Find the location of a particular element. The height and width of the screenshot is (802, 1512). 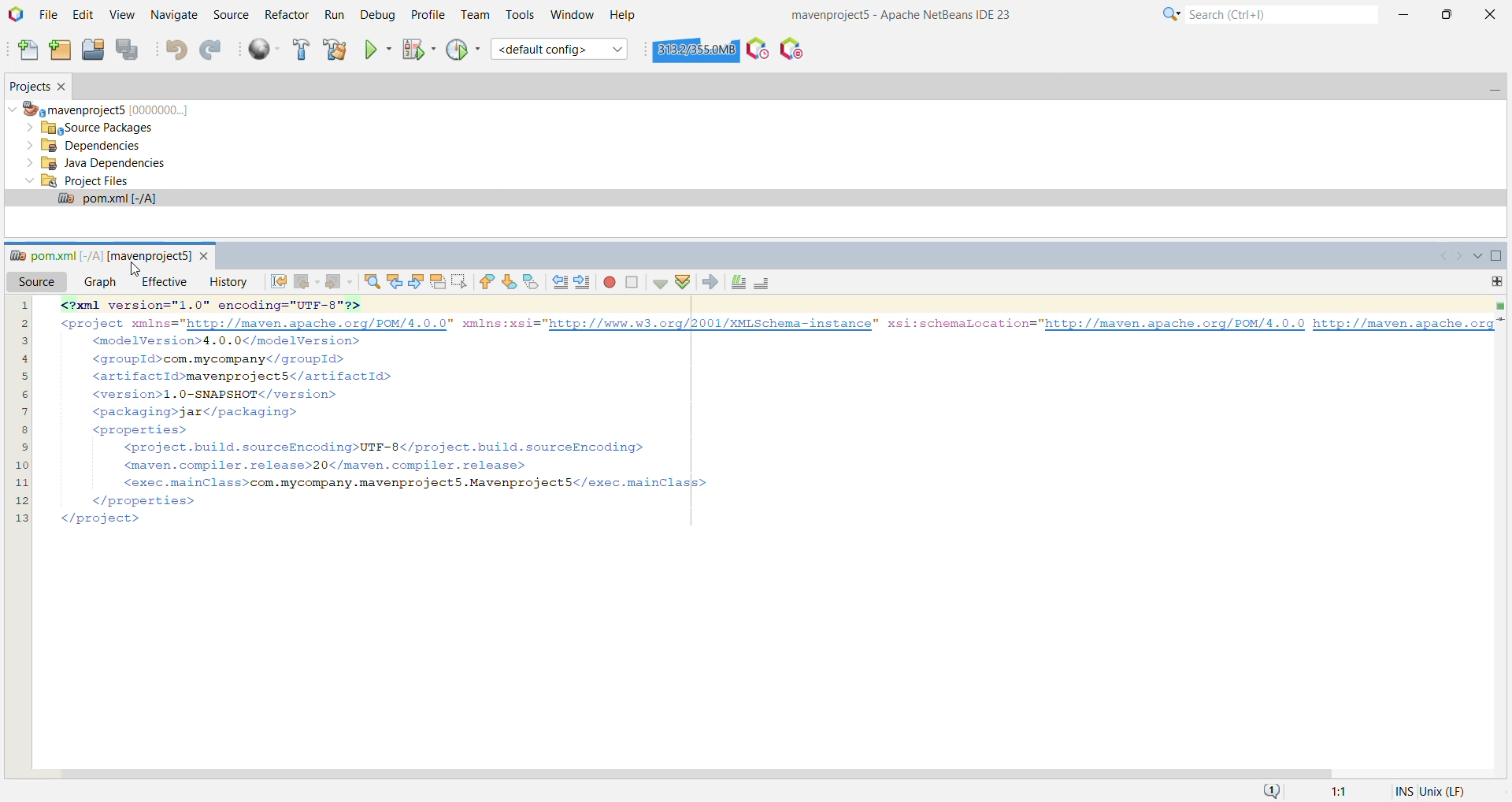

Find Next Occurrence is located at coordinates (417, 282).